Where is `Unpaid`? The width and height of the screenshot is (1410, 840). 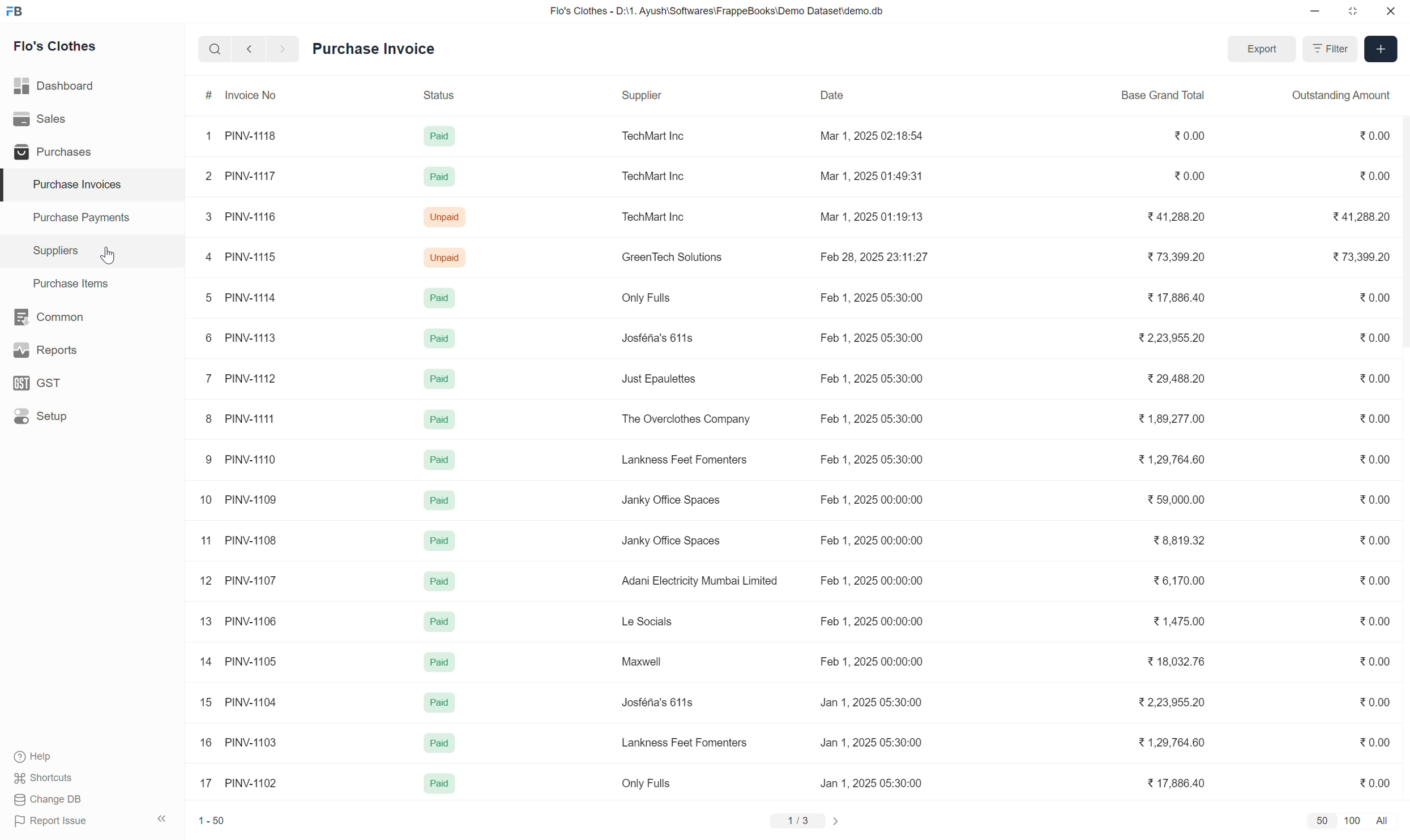
Unpaid is located at coordinates (443, 215).